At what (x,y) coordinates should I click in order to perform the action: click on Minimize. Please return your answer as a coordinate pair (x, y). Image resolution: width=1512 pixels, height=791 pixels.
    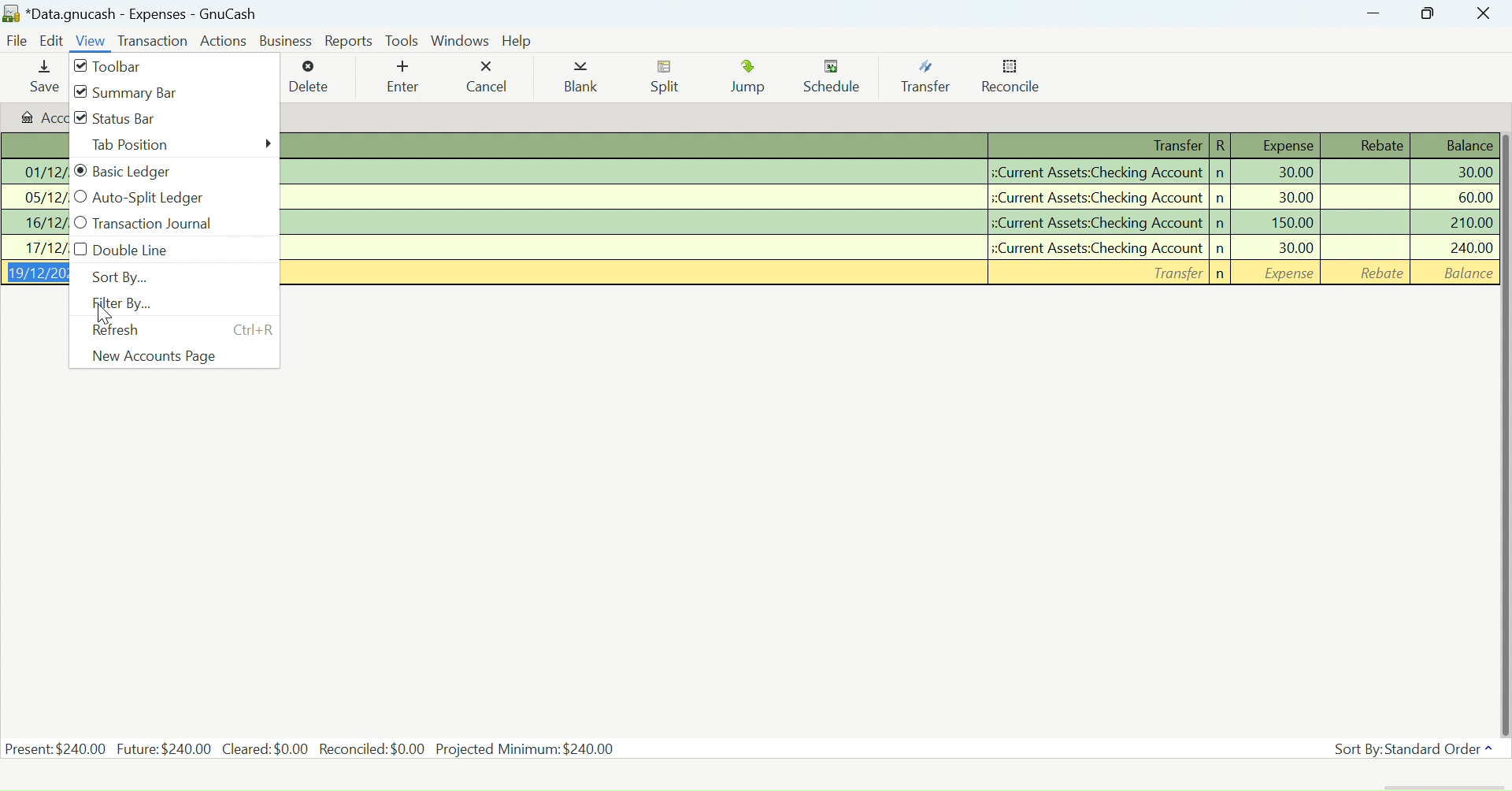
    Looking at the image, I should click on (1429, 13).